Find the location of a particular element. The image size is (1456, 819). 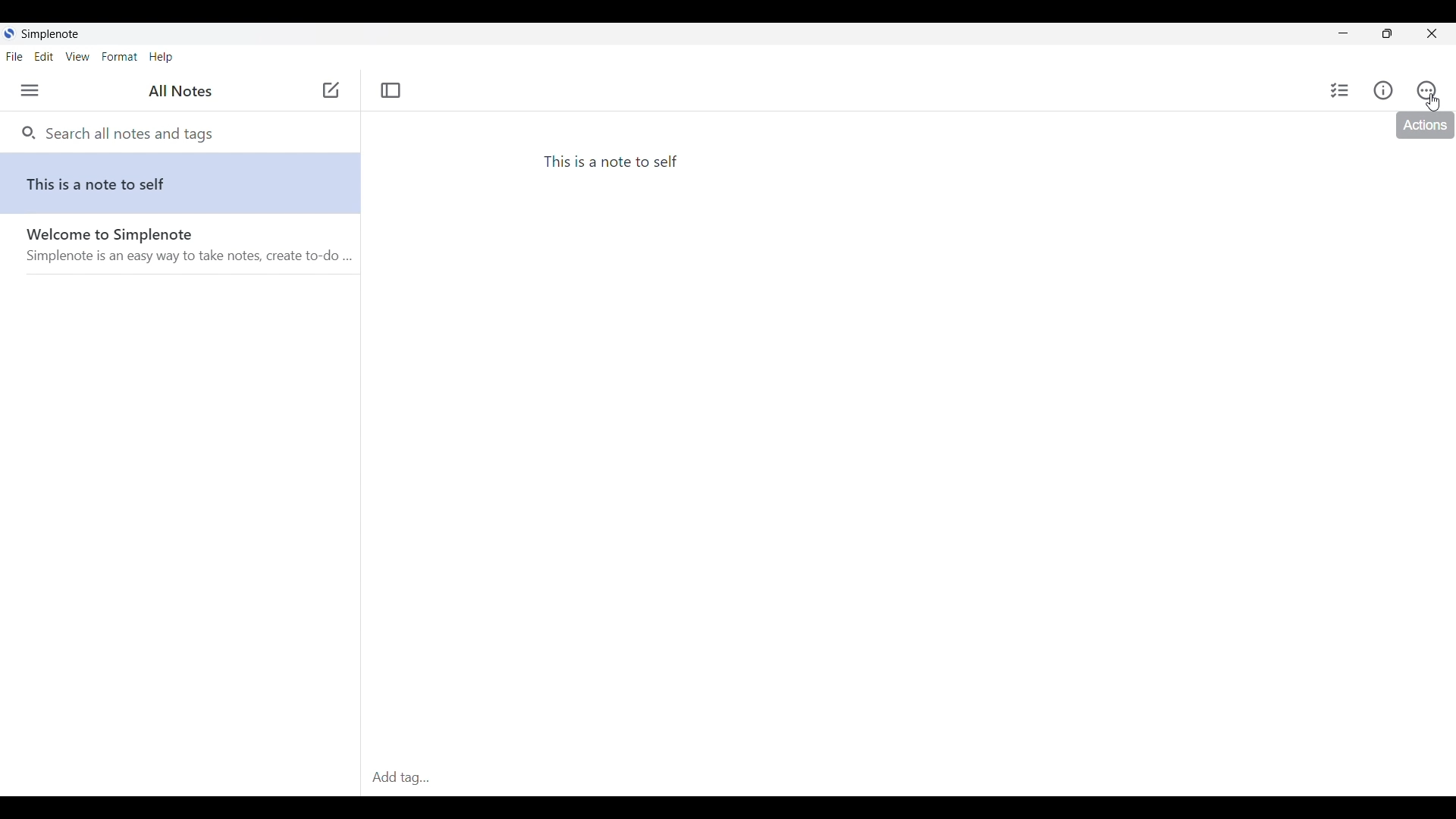

Actions is located at coordinates (1426, 125).